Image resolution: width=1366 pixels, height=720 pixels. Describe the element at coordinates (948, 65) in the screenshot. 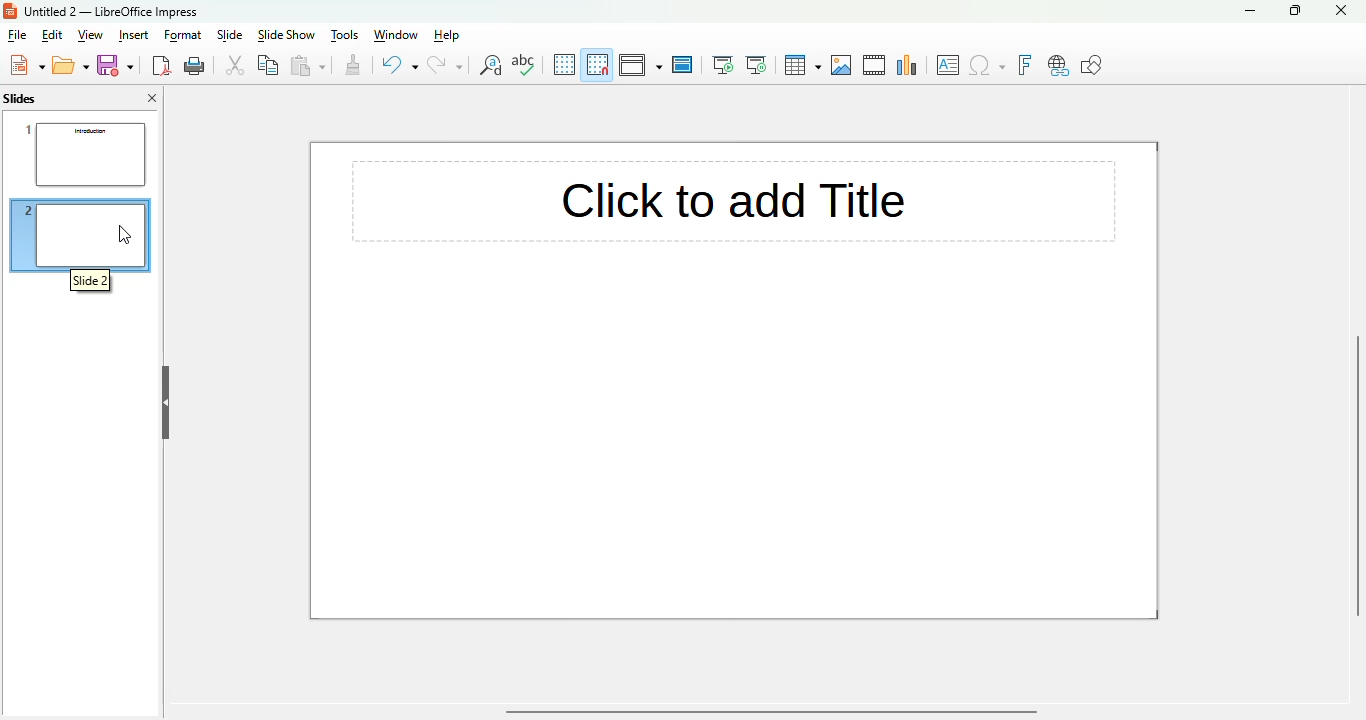

I see `insert textbox` at that location.